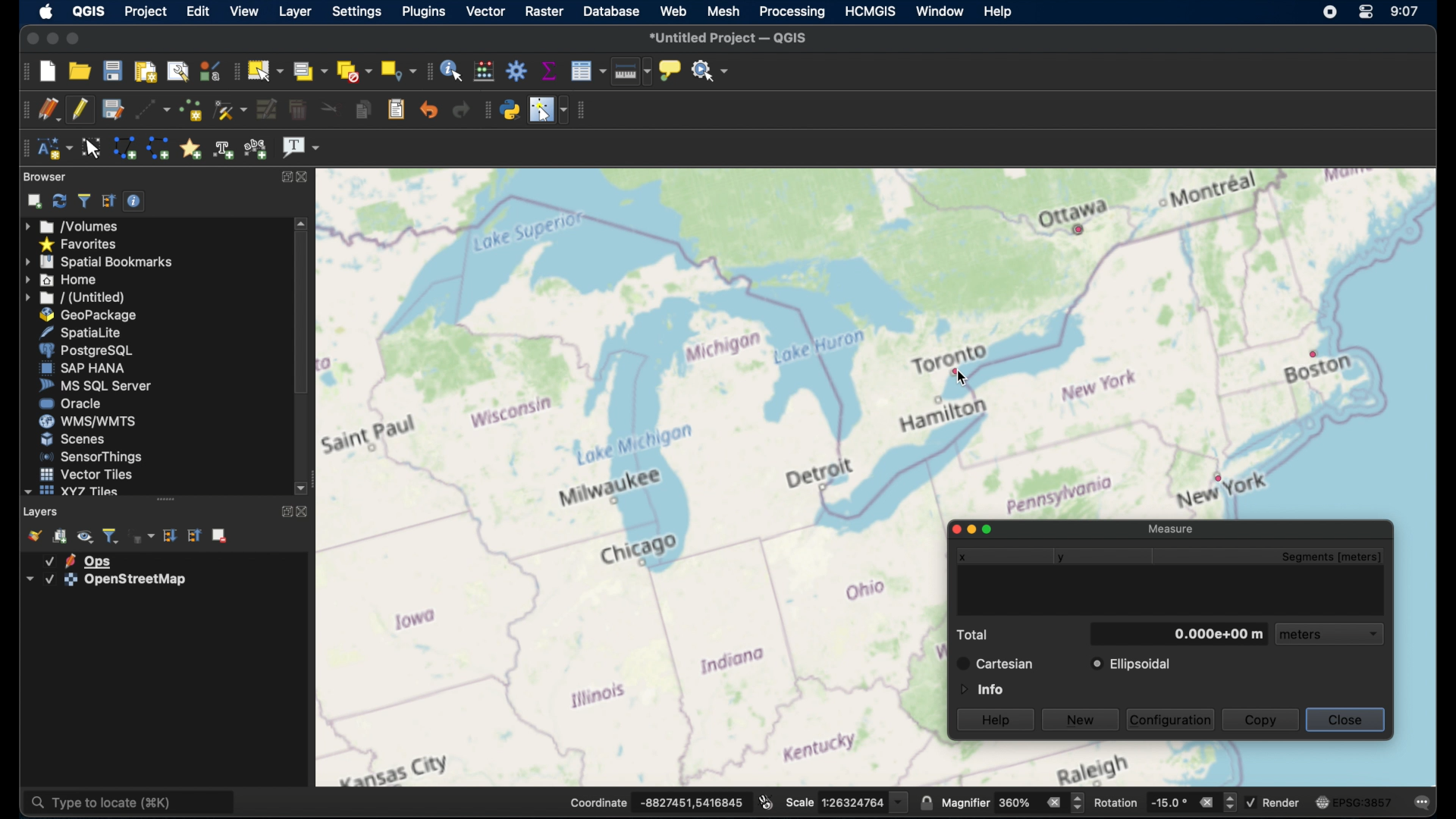 The image size is (1456, 819). Describe the element at coordinates (22, 110) in the screenshot. I see `digitizing toolbar` at that location.